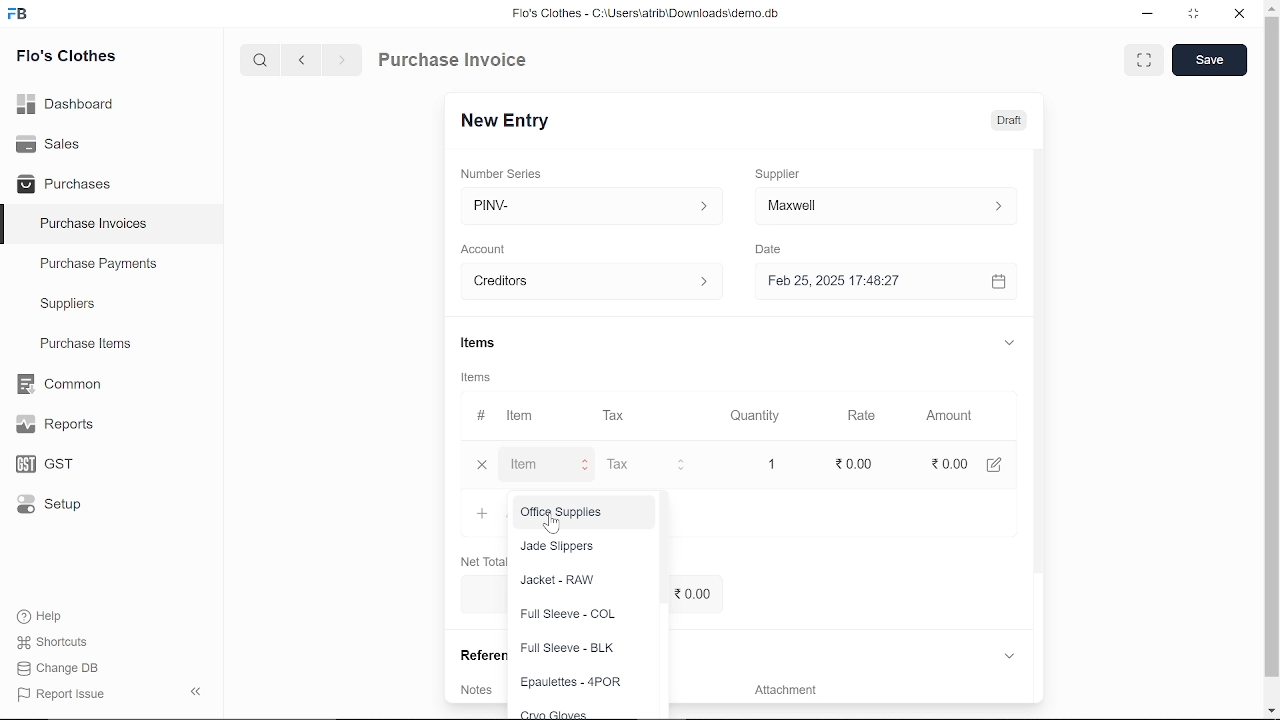  What do you see at coordinates (22, 15) in the screenshot?
I see `frappe books logo` at bounding box center [22, 15].